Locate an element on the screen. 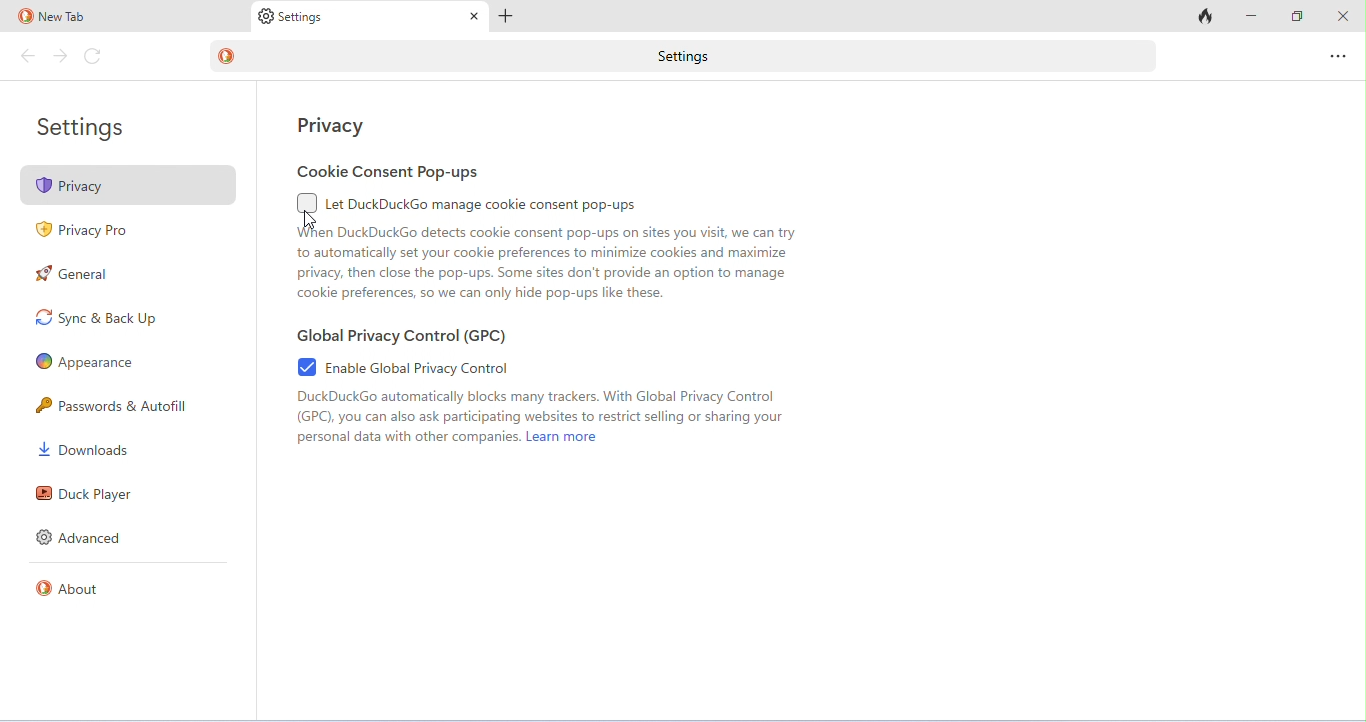  settings is located at coordinates (703, 57).